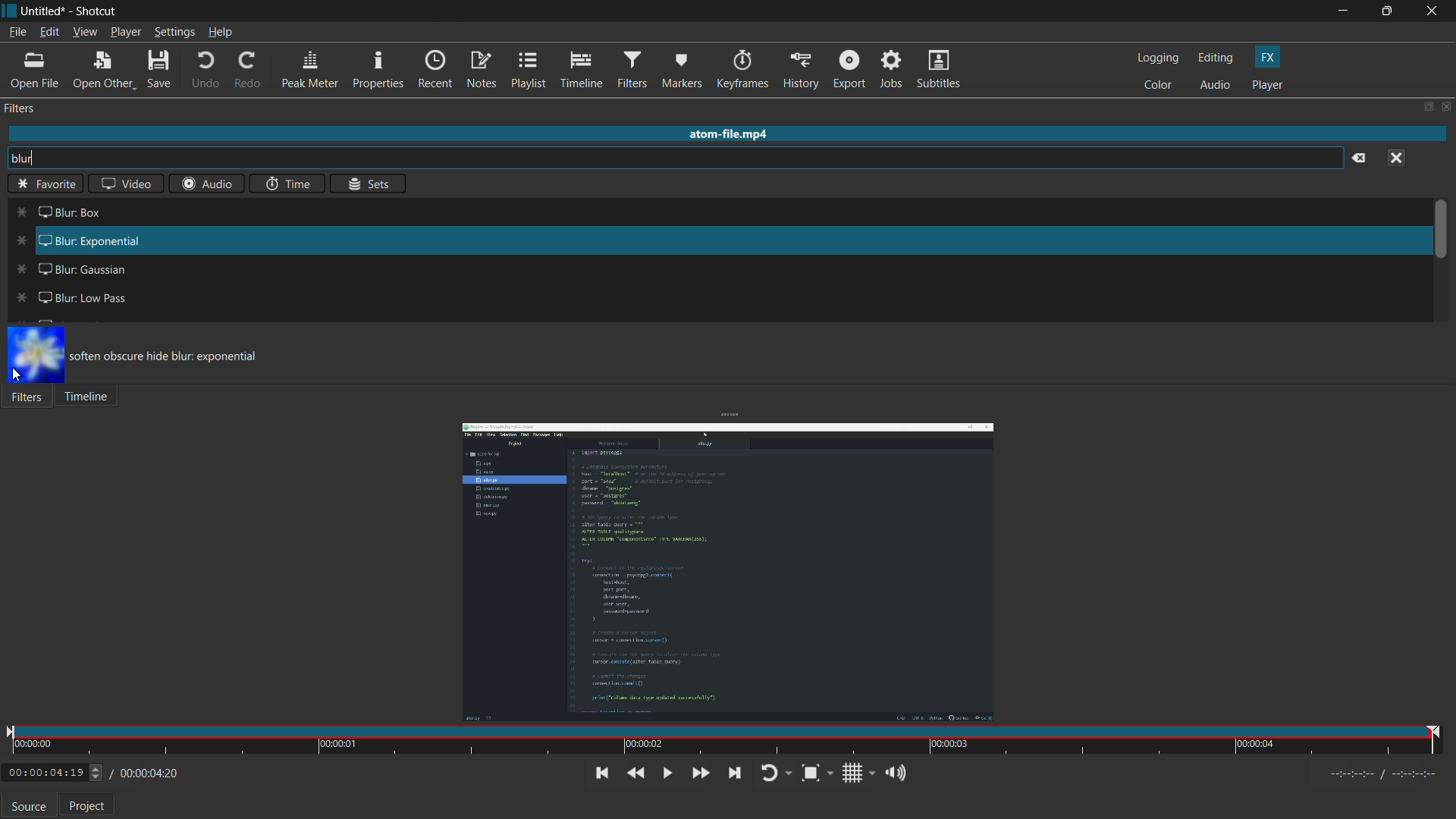 Image resolution: width=1456 pixels, height=819 pixels. What do you see at coordinates (665, 773) in the screenshot?
I see `toggle play` at bounding box center [665, 773].